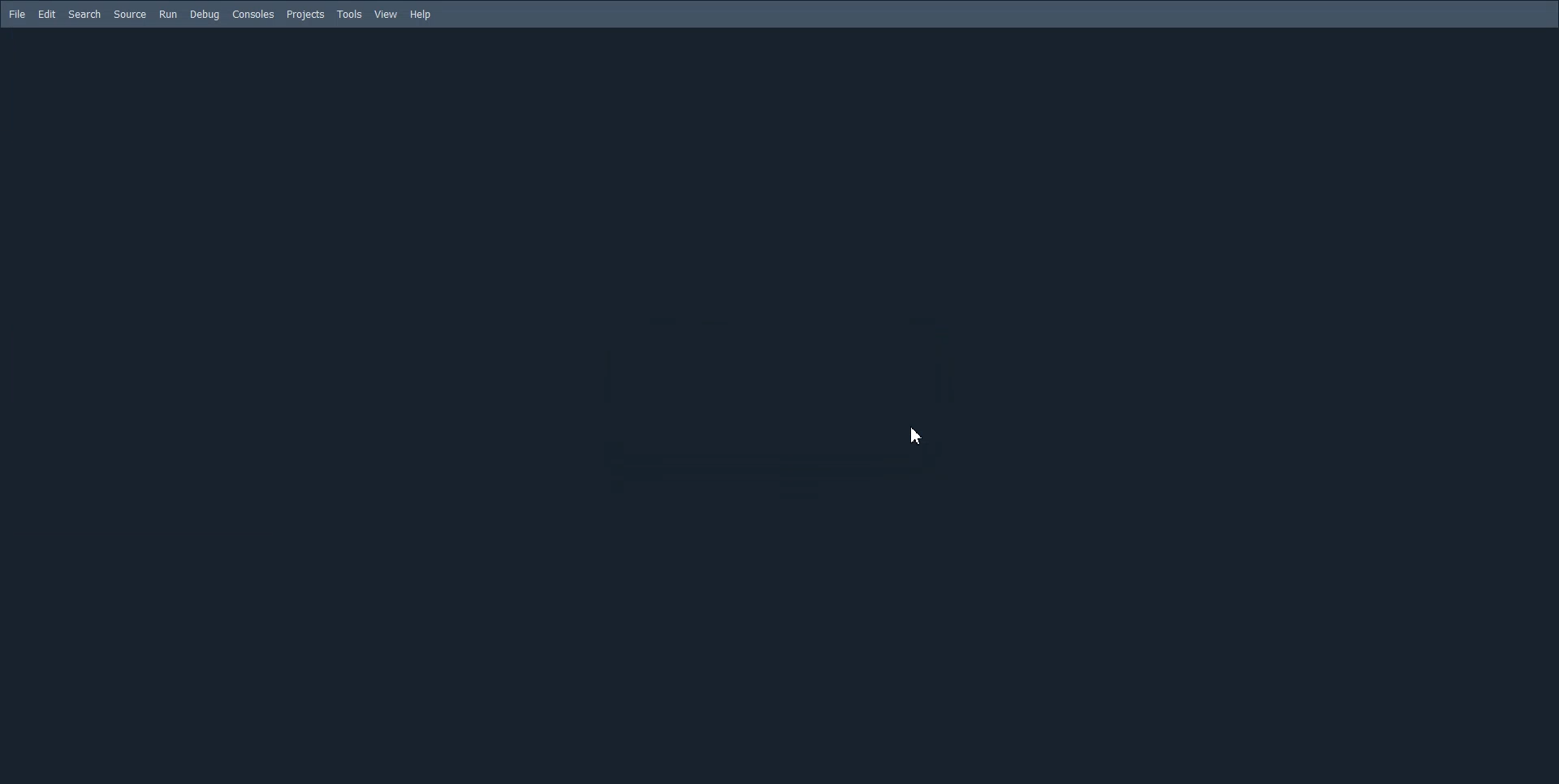  Describe the element at coordinates (204, 15) in the screenshot. I see `Debug` at that location.